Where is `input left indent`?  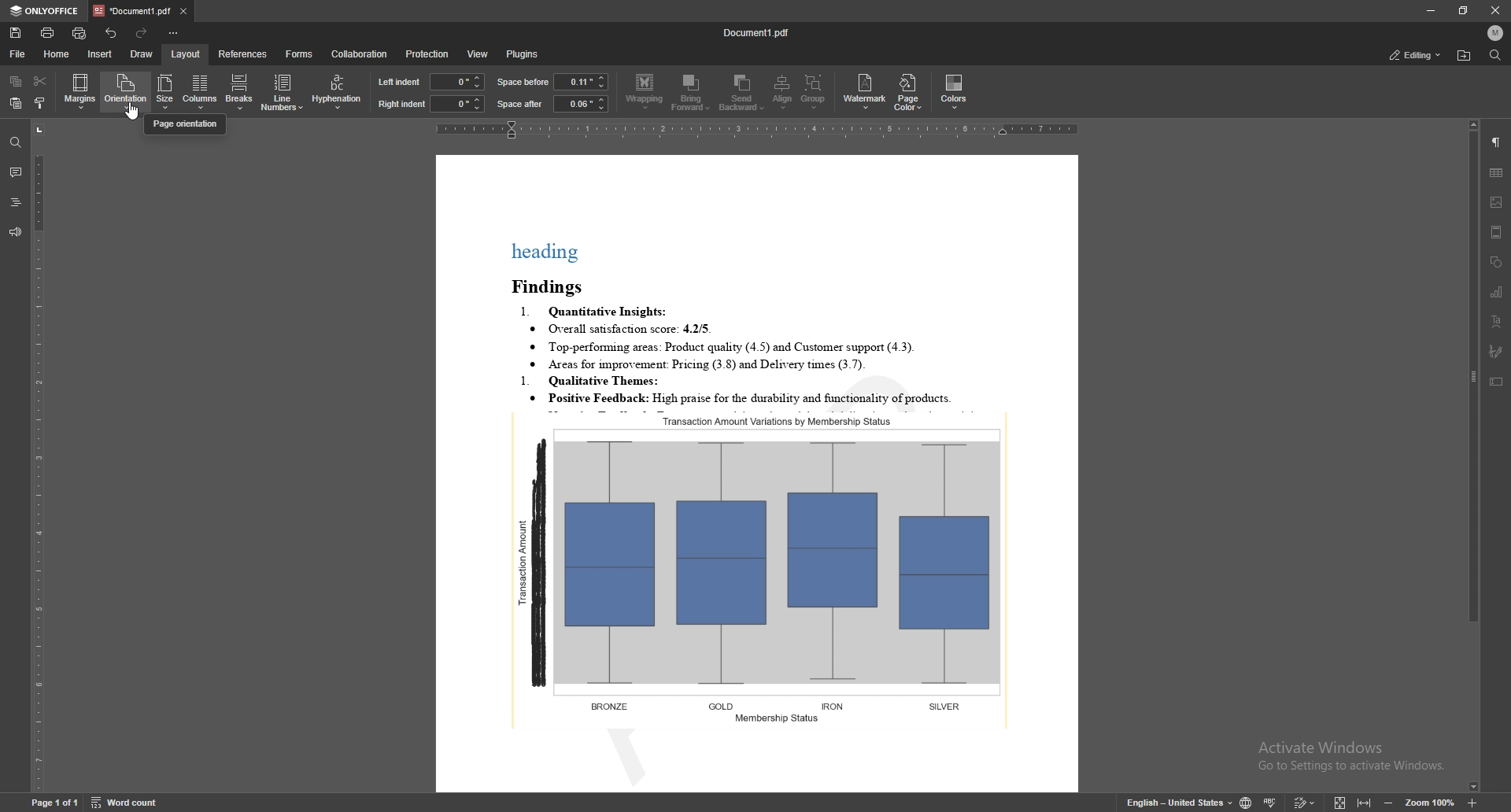
input left indent is located at coordinates (456, 80).